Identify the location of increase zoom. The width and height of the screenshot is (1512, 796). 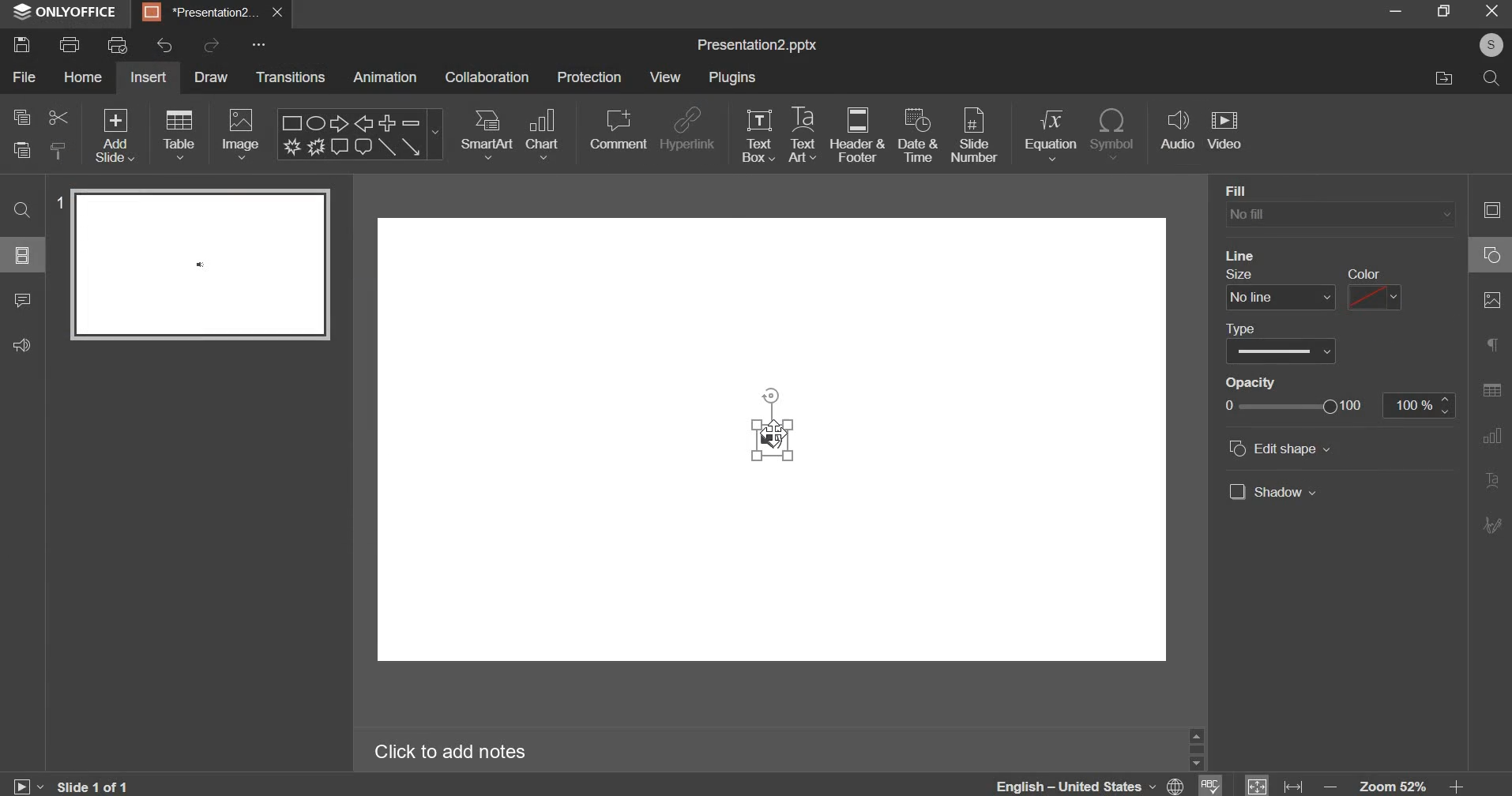
(1457, 784).